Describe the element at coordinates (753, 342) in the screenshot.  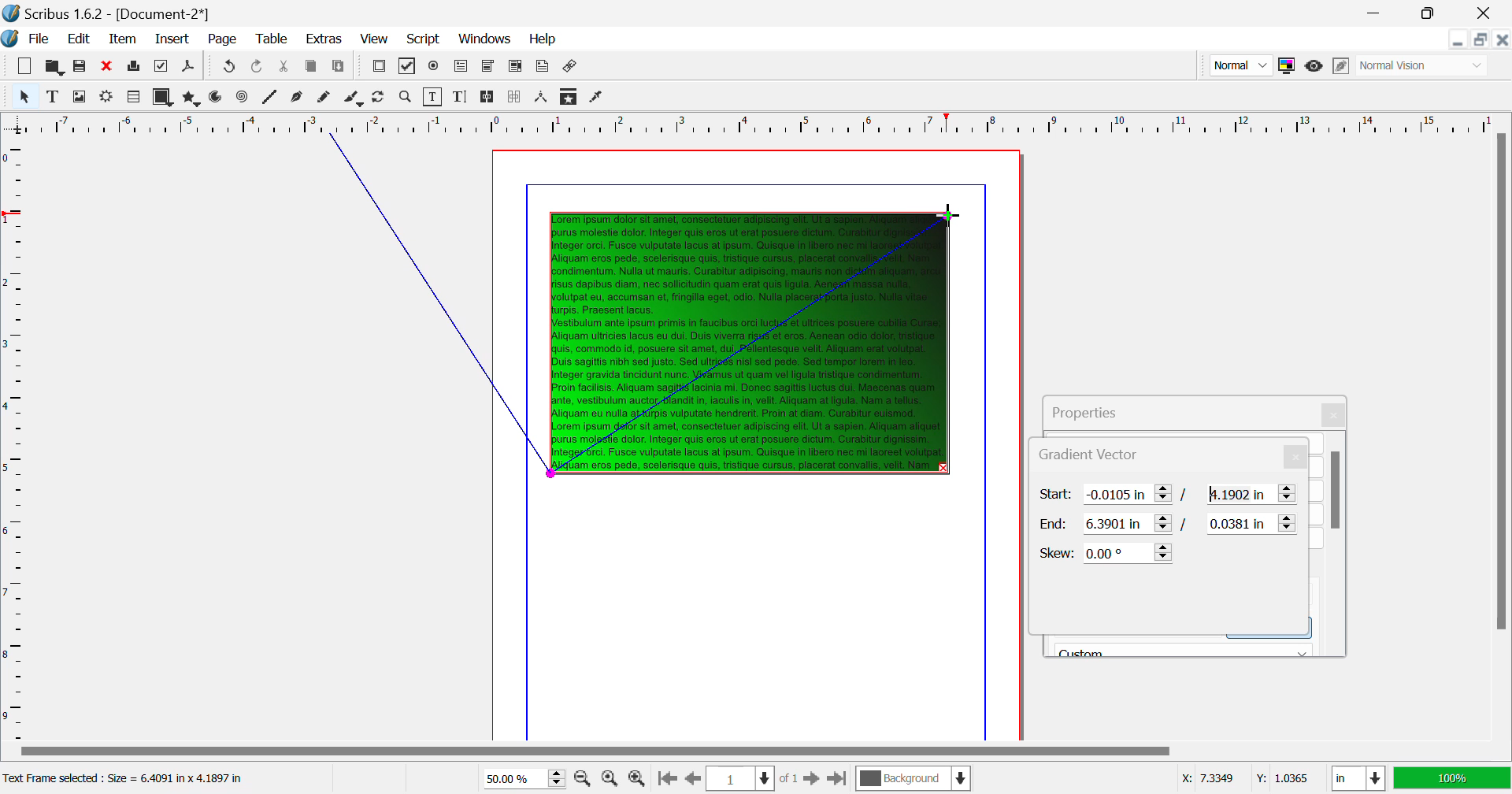
I see `Gradient Changed` at that location.